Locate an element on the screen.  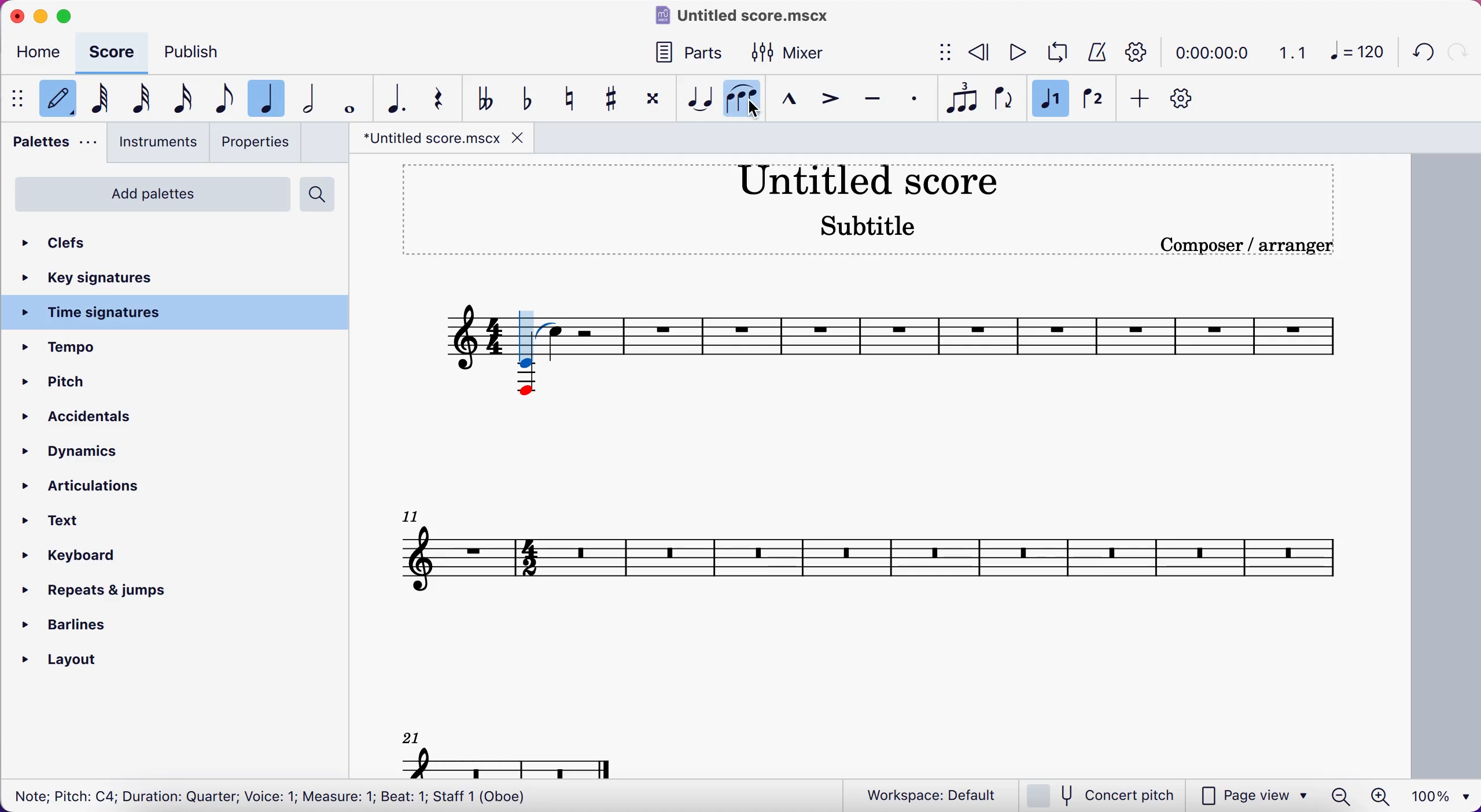
search palette is located at coordinates (316, 192).